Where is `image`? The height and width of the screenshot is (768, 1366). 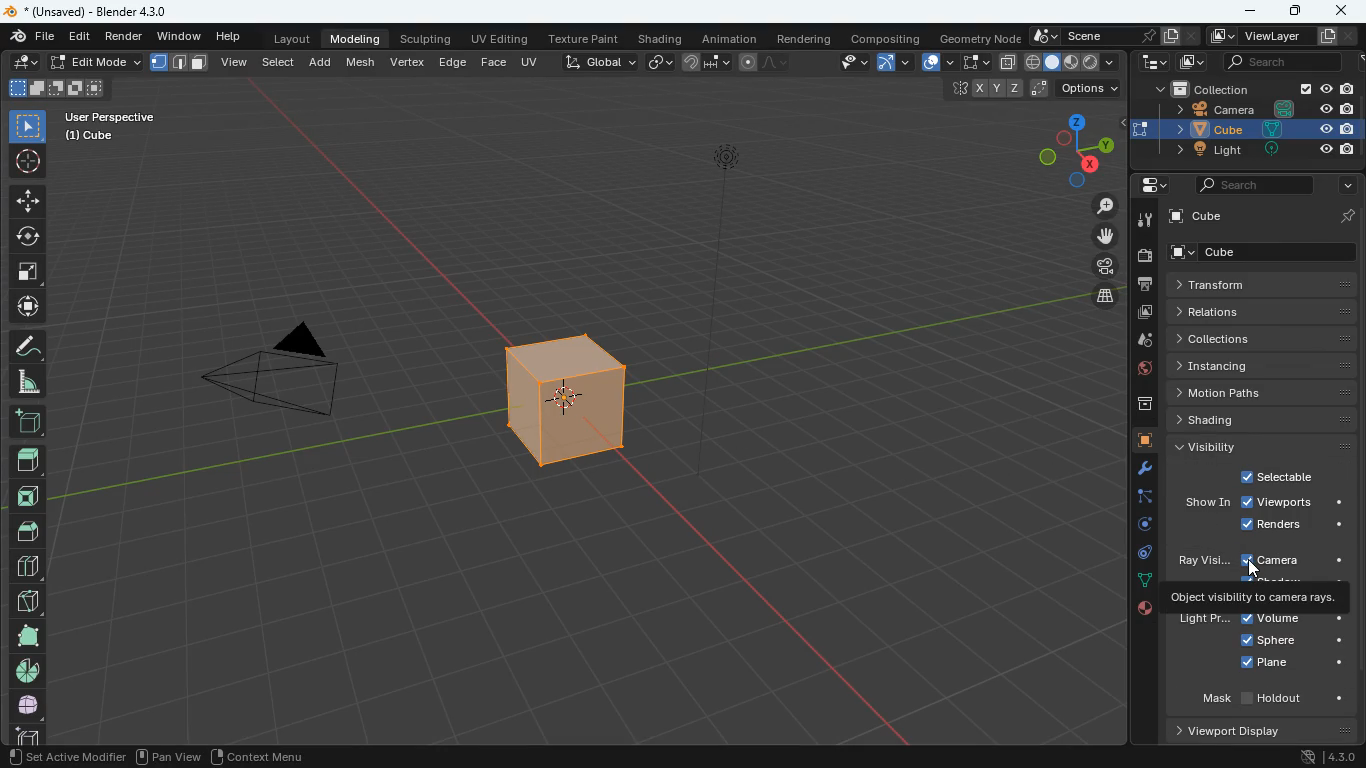 image is located at coordinates (1195, 62).